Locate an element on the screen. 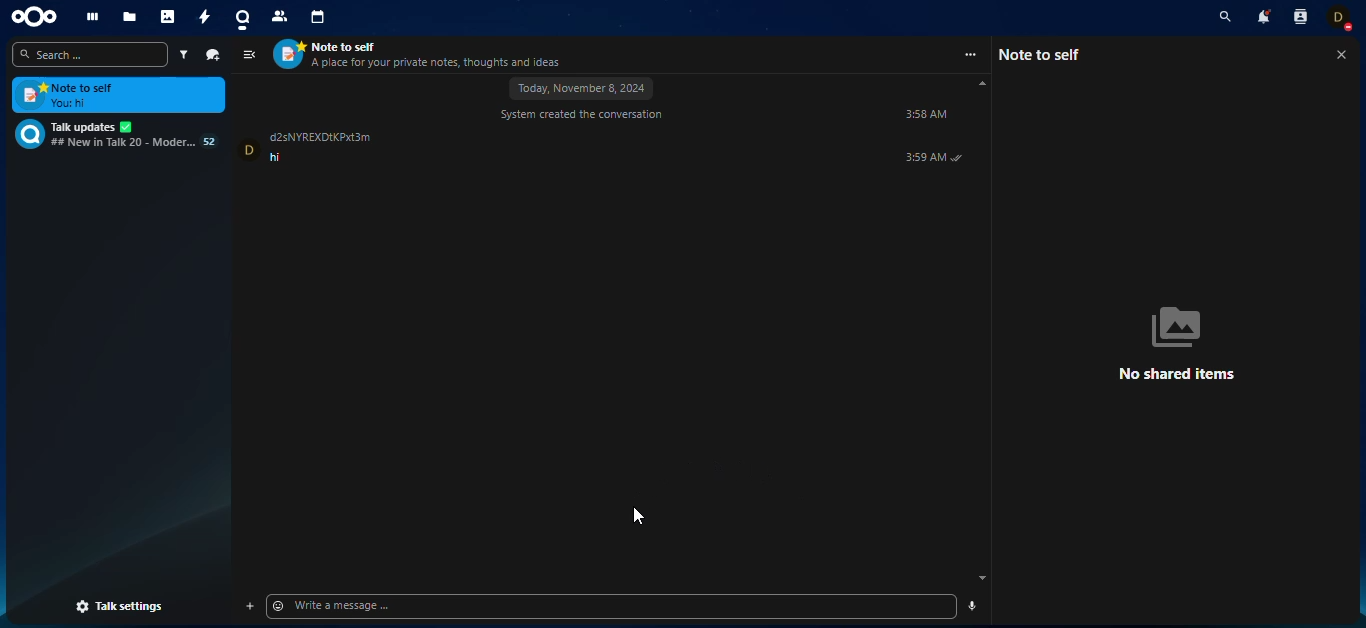 The width and height of the screenshot is (1366, 628). contact is located at coordinates (423, 53).